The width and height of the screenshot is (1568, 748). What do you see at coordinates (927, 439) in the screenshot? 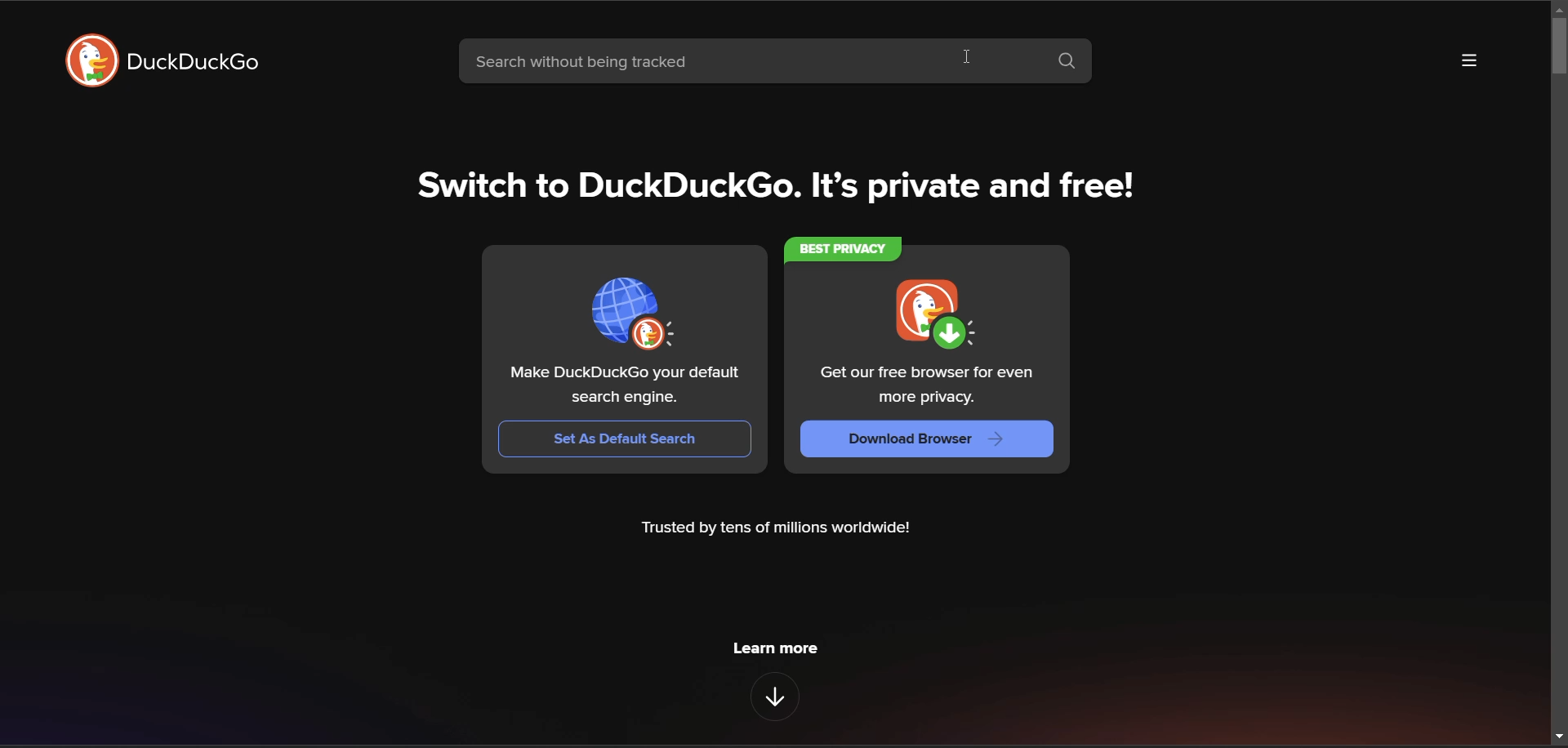
I see `Download Browser >` at bounding box center [927, 439].